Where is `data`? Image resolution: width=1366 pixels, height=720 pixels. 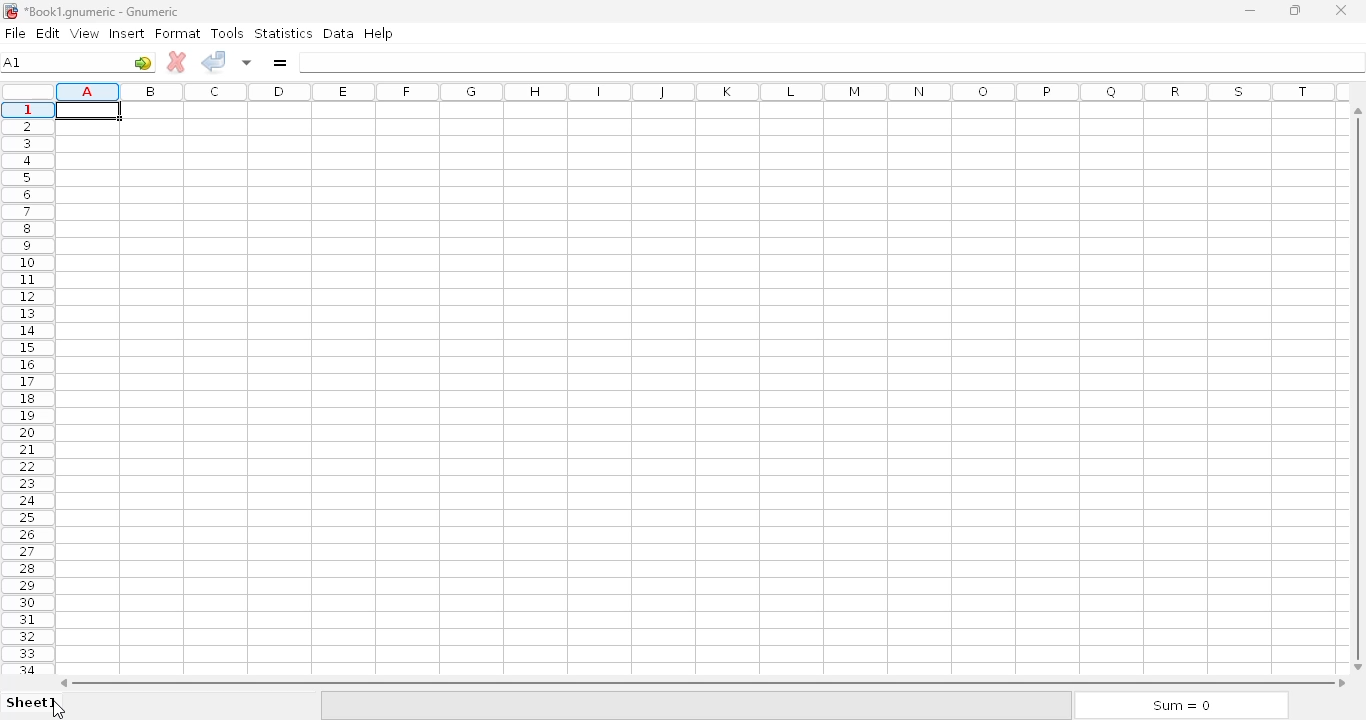 data is located at coordinates (339, 33).